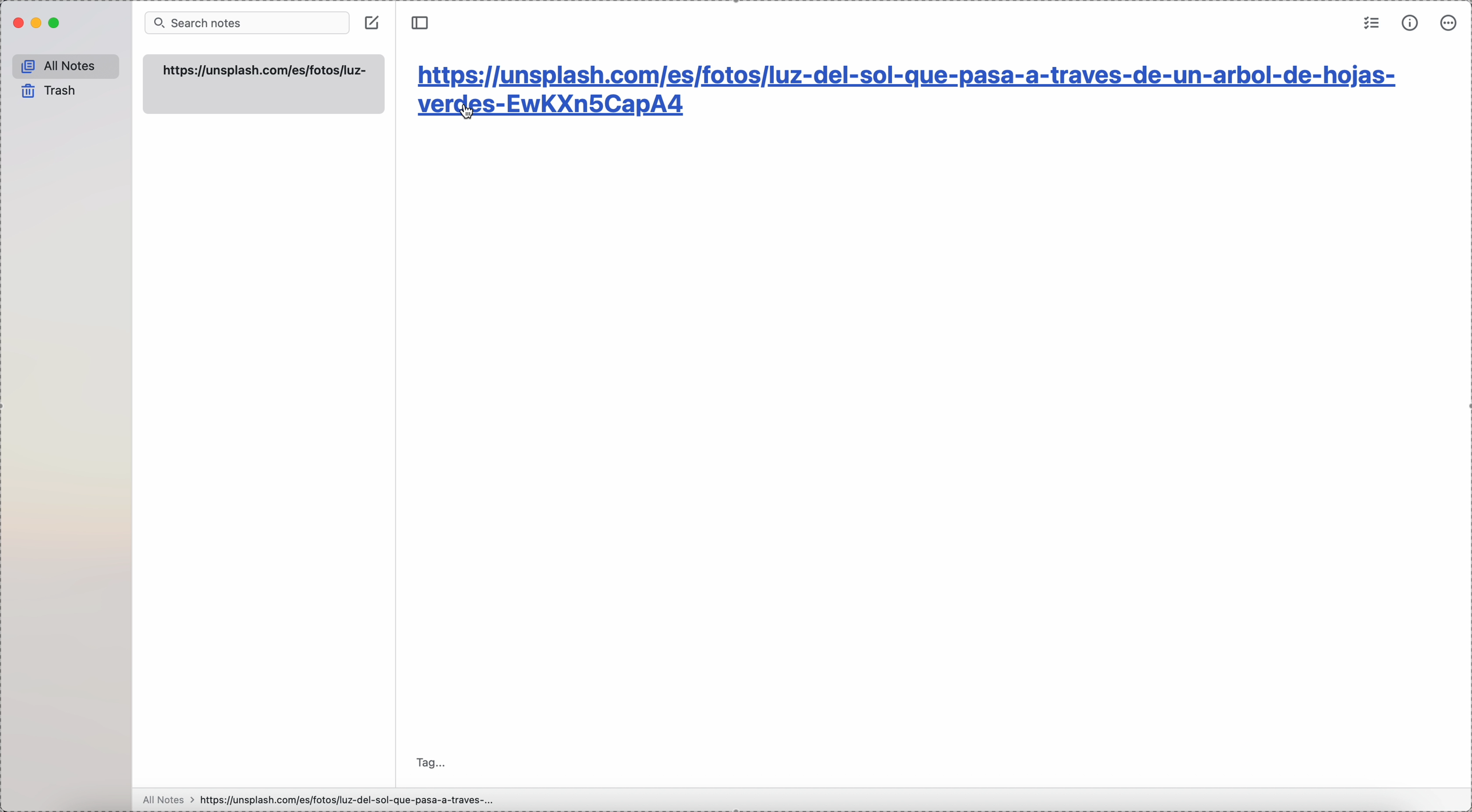 The image size is (1472, 812). What do you see at coordinates (373, 22) in the screenshot?
I see `create note` at bounding box center [373, 22].